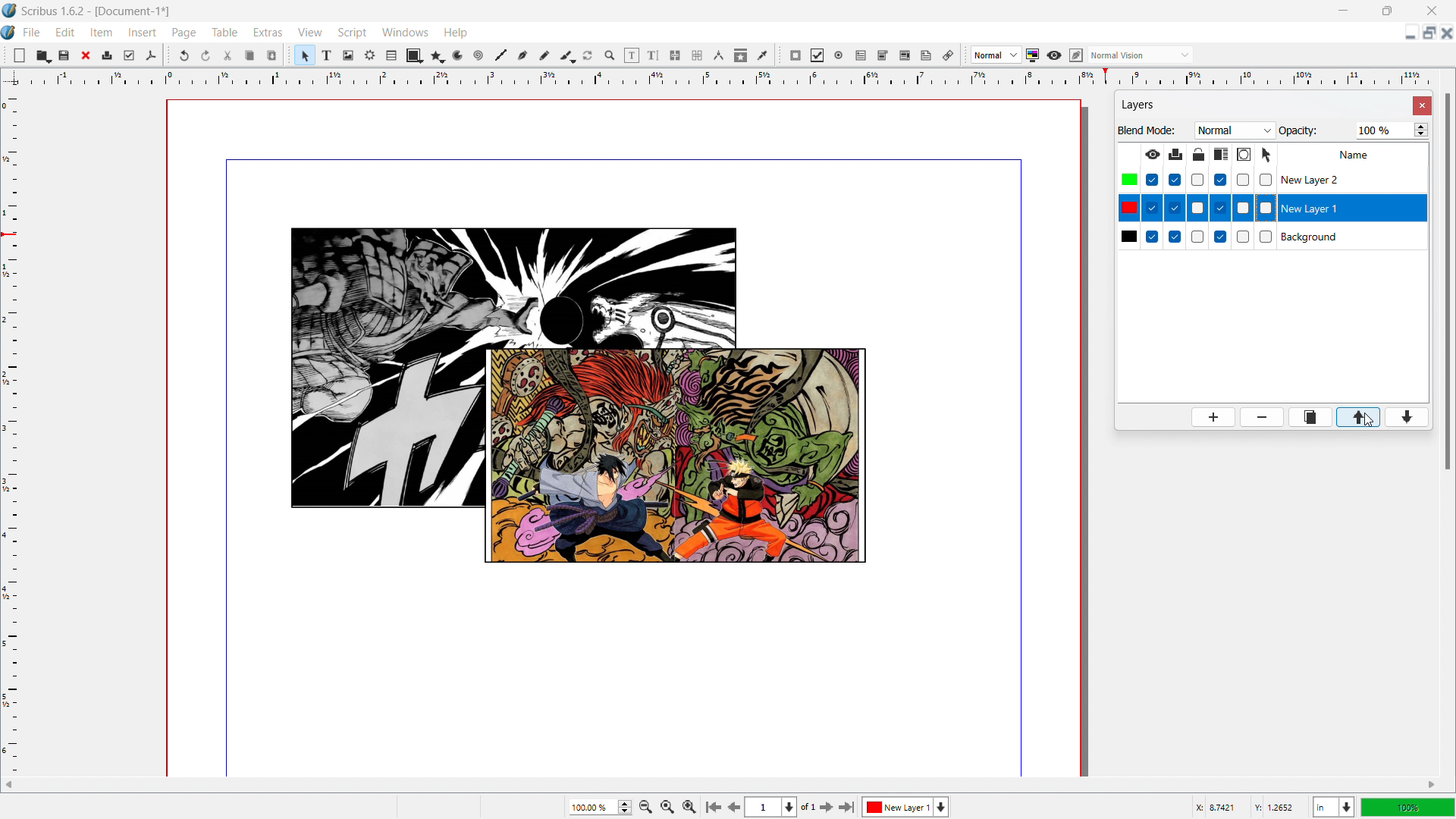 The image size is (1456, 819). I want to click on select the visyal appearance of the display, so click(1141, 55).